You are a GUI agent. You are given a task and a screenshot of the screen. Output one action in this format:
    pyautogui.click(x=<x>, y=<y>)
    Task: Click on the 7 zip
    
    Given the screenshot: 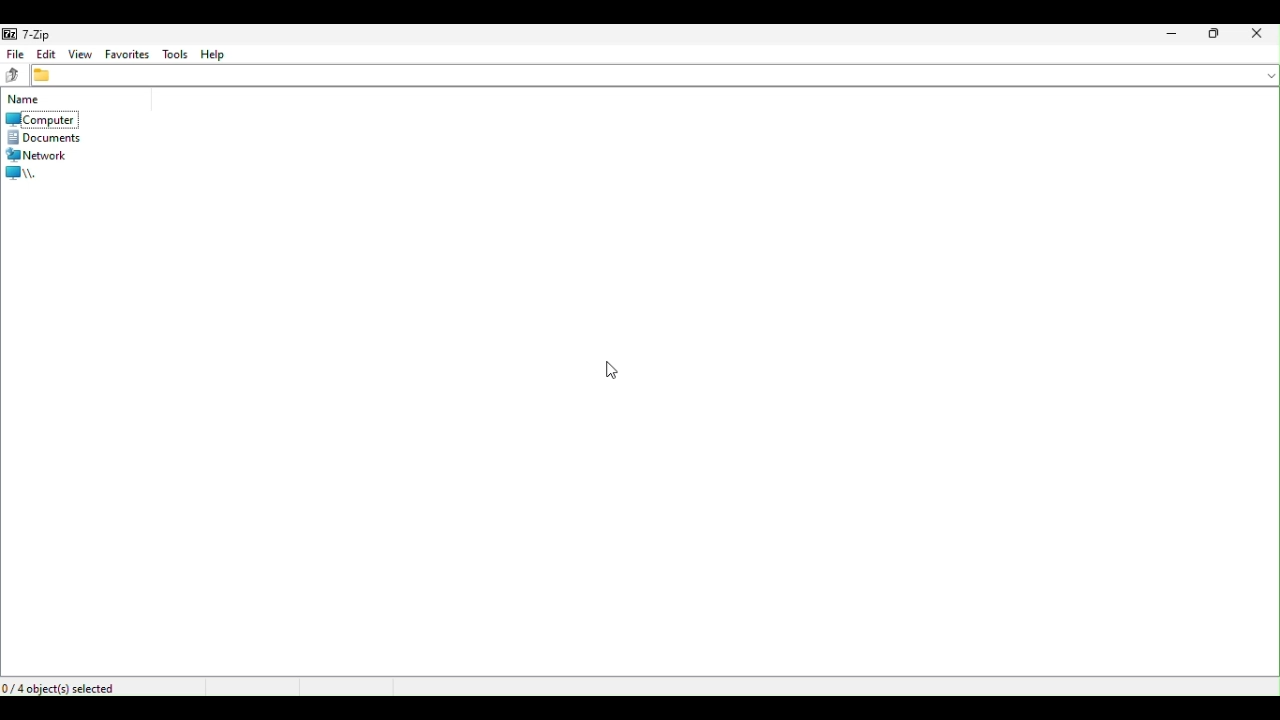 What is the action you would take?
    pyautogui.click(x=26, y=34)
    